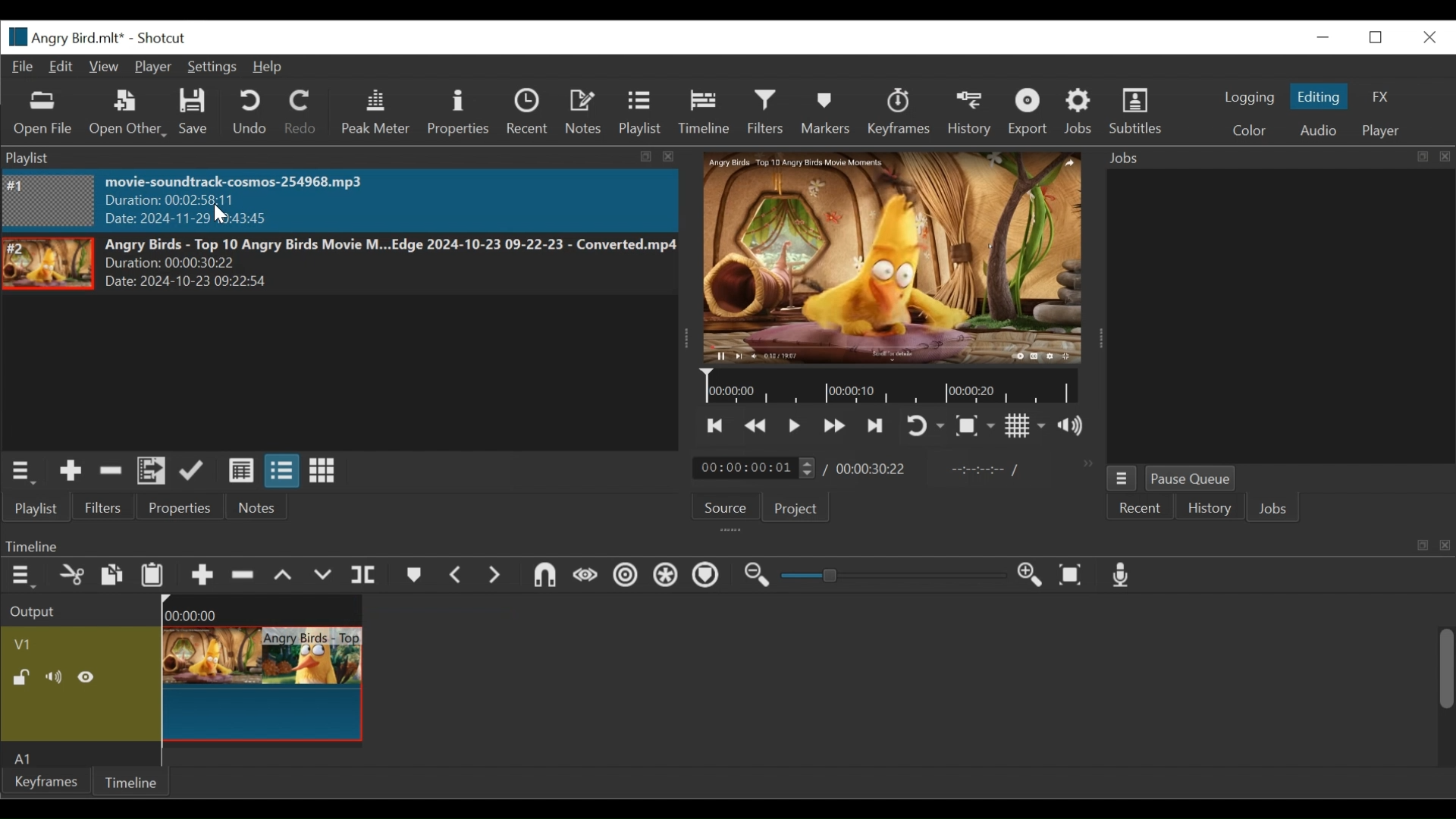 The height and width of the screenshot is (819, 1456). What do you see at coordinates (1265, 317) in the screenshot?
I see `Jobs Panel` at bounding box center [1265, 317].